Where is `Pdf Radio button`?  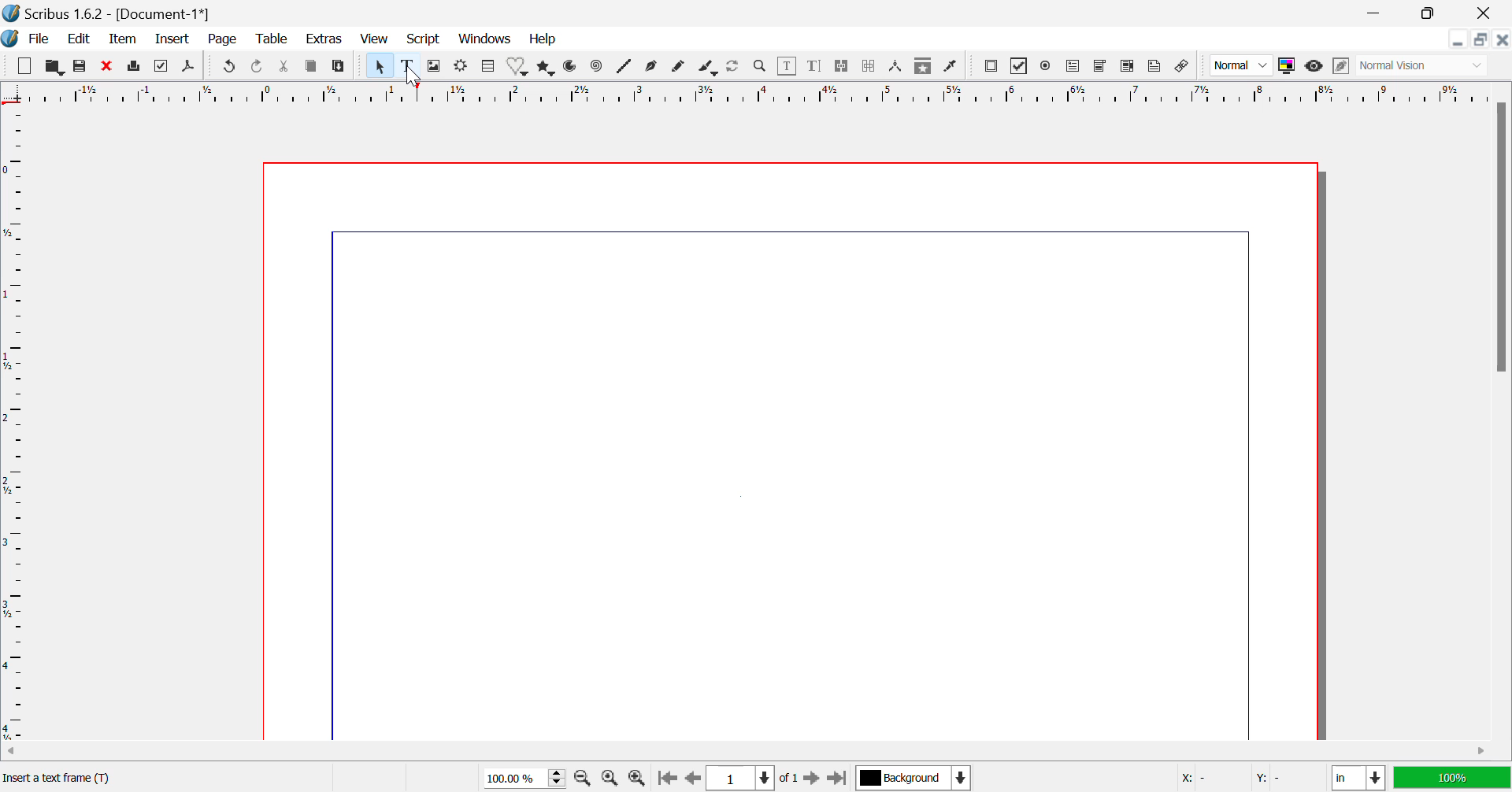
Pdf Radio button is located at coordinates (1048, 66).